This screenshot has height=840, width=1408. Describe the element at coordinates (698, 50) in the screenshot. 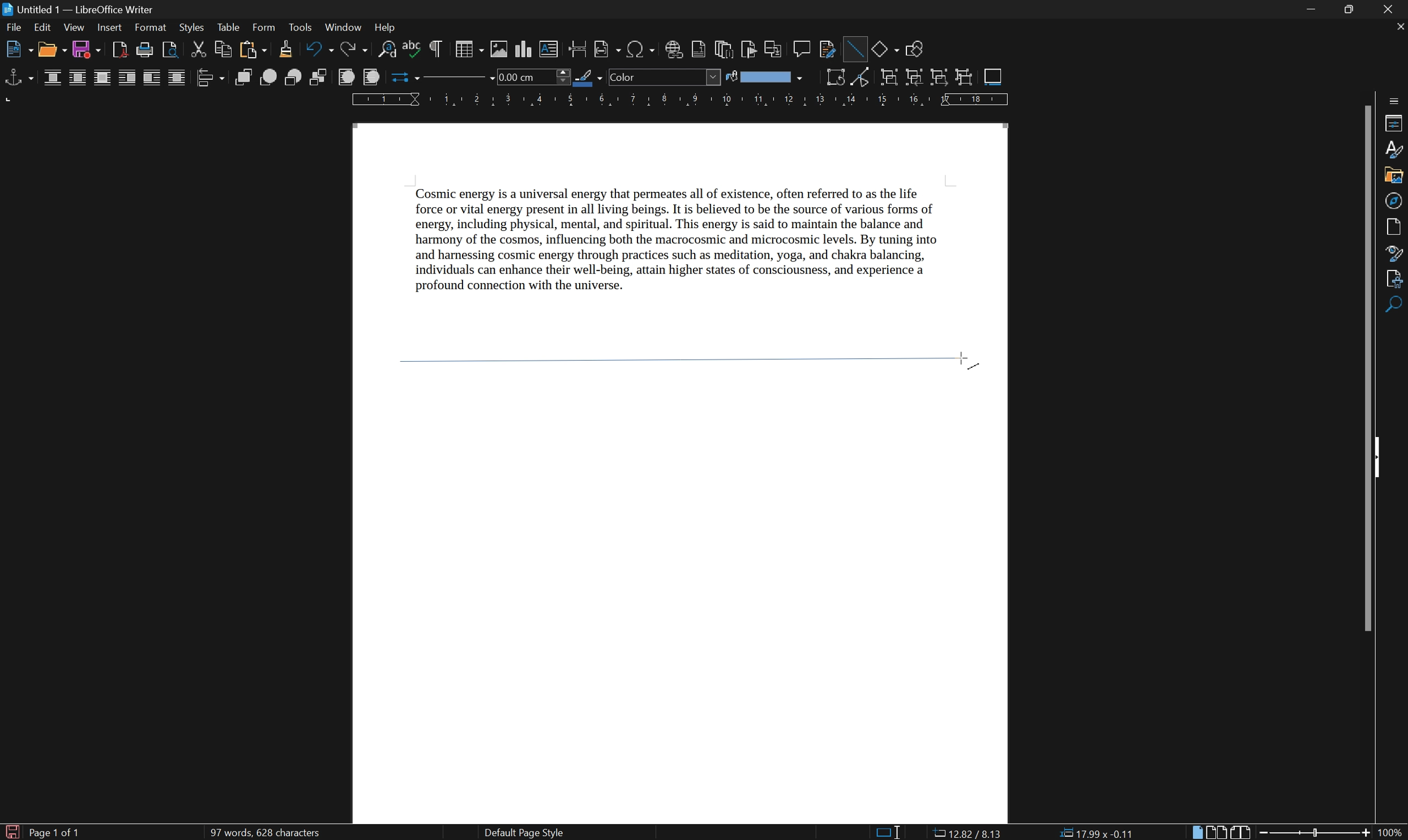

I see `insert footnote` at that location.